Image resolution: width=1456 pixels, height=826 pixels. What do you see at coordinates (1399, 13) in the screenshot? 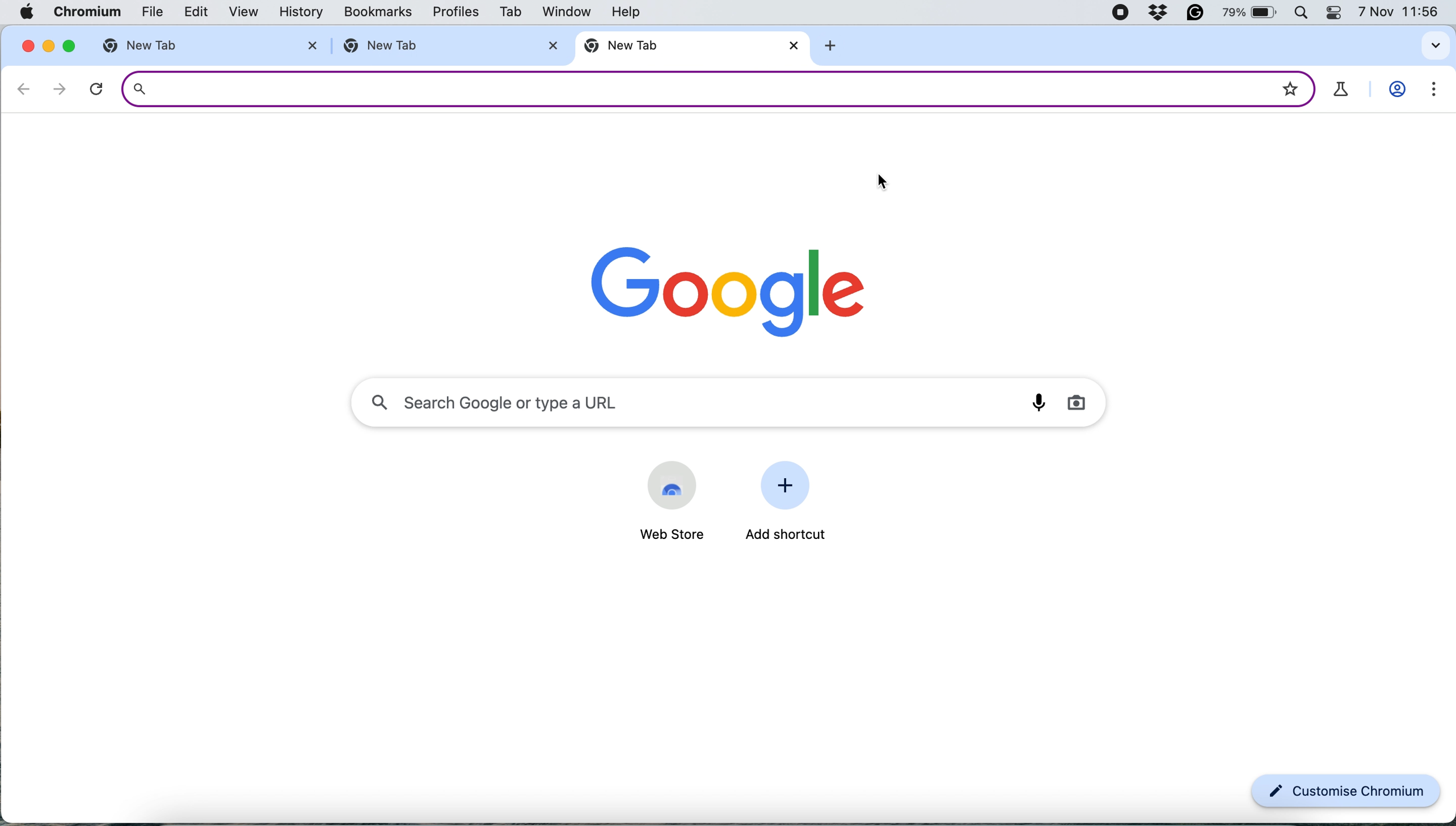
I see `7 nov 11:56` at bounding box center [1399, 13].